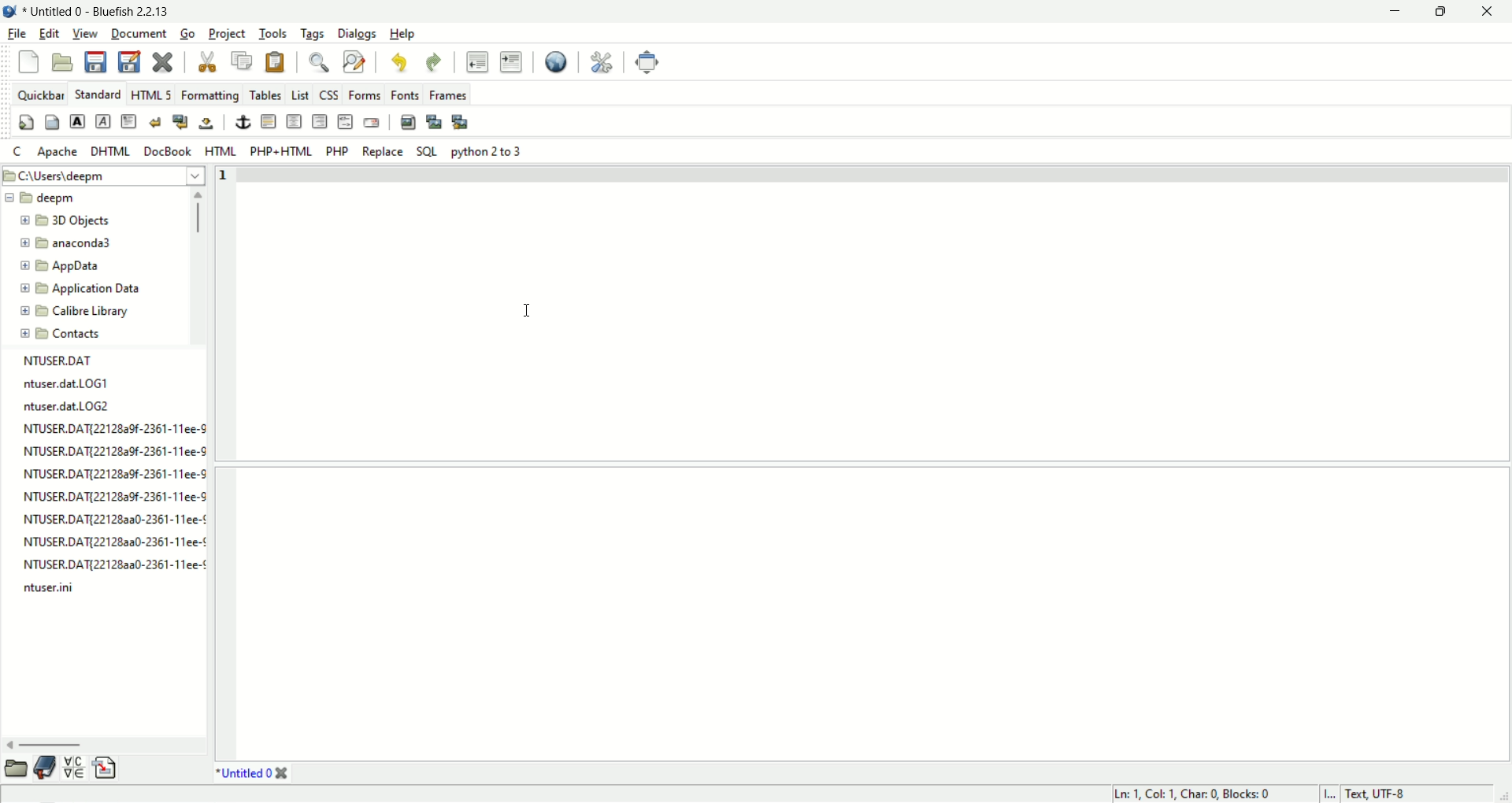 This screenshot has width=1512, height=803. Describe the element at coordinates (227, 34) in the screenshot. I see `project` at that location.